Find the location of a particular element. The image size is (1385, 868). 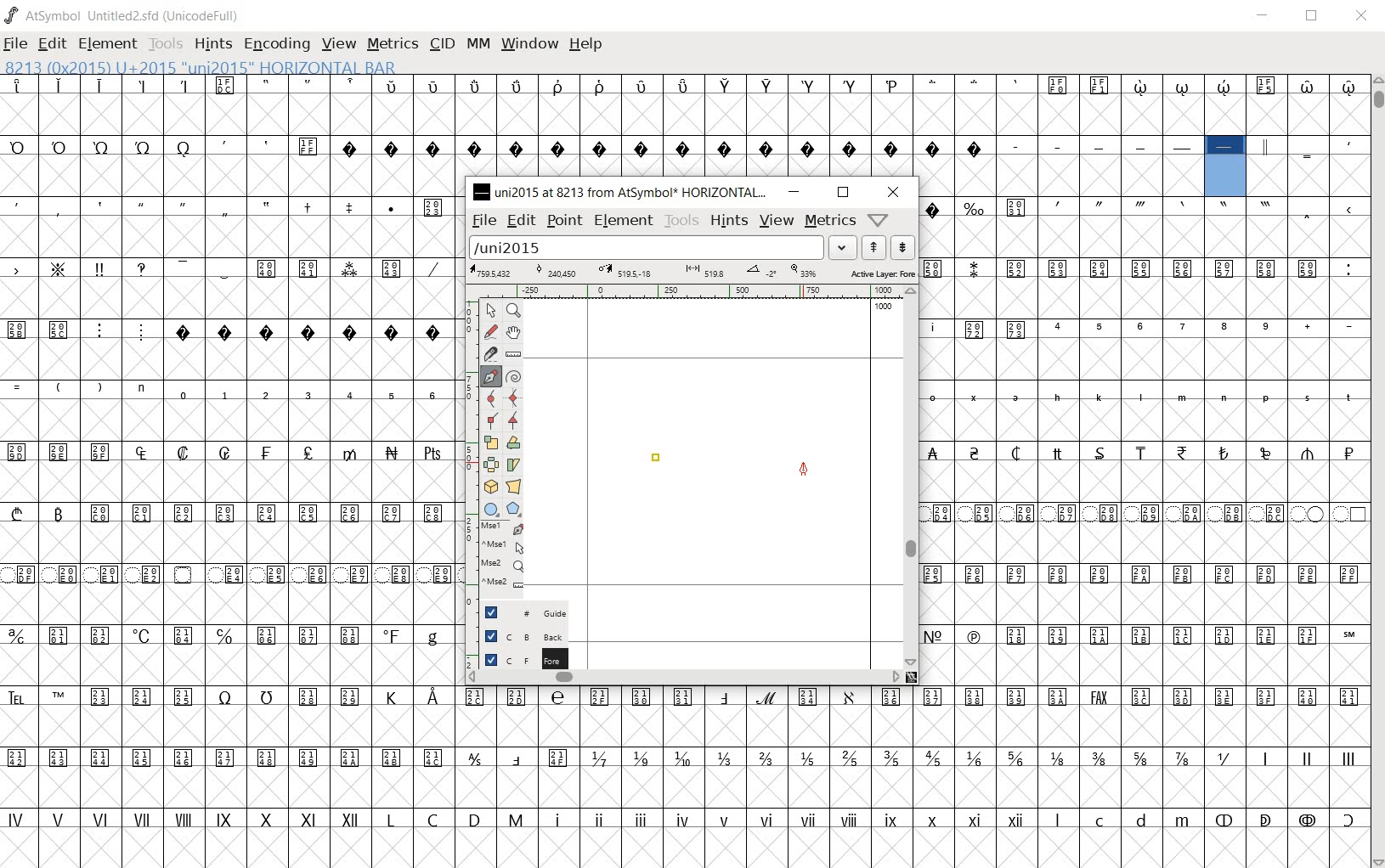

point is located at coordinates (566, 223).